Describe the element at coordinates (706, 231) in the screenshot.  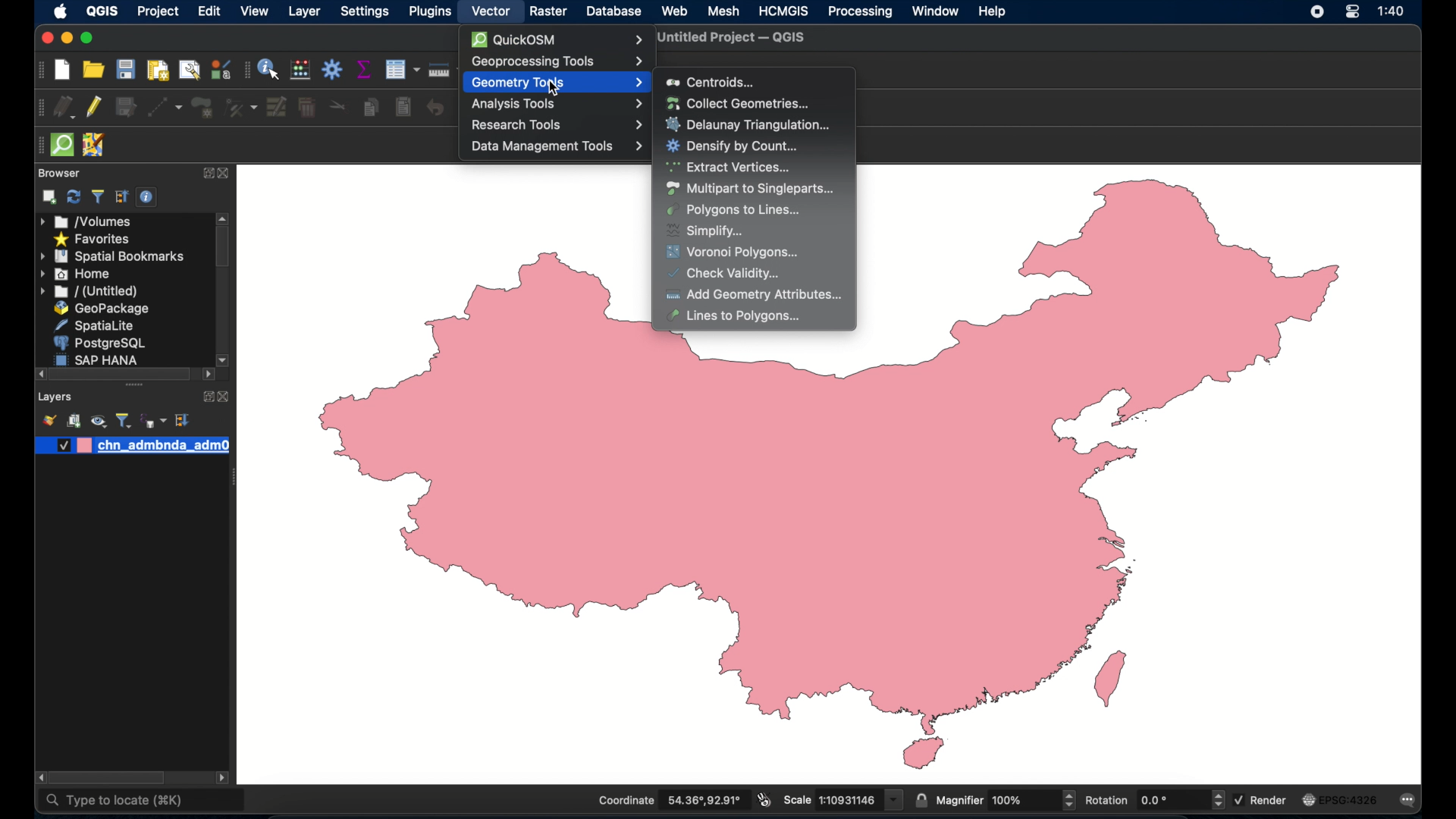
I see `simplify` at that location.